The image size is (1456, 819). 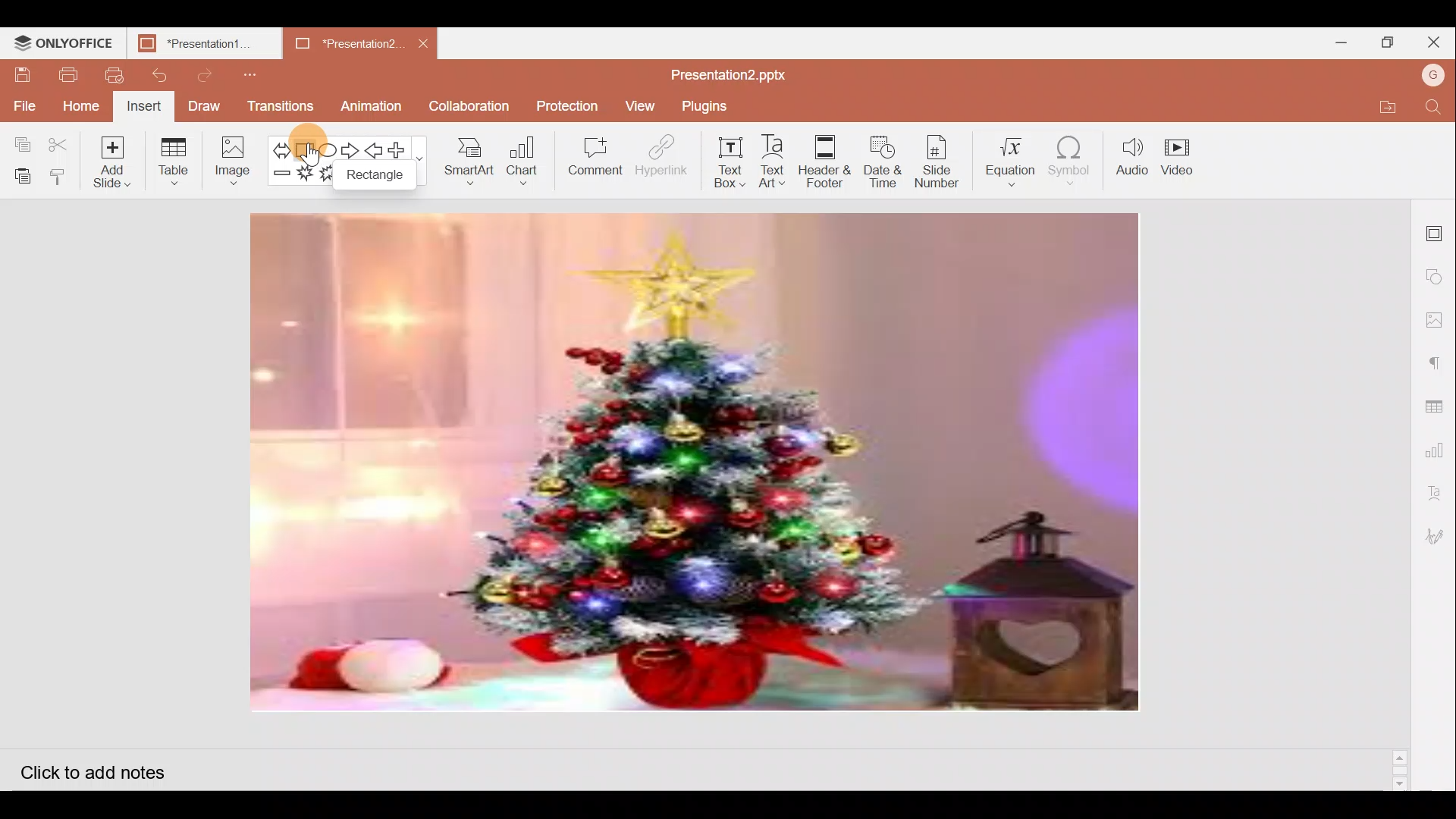 What do you see at coordinates (1075, 160) in the screenshot?
I see `Symbol` at bounding box center [1075, 160].